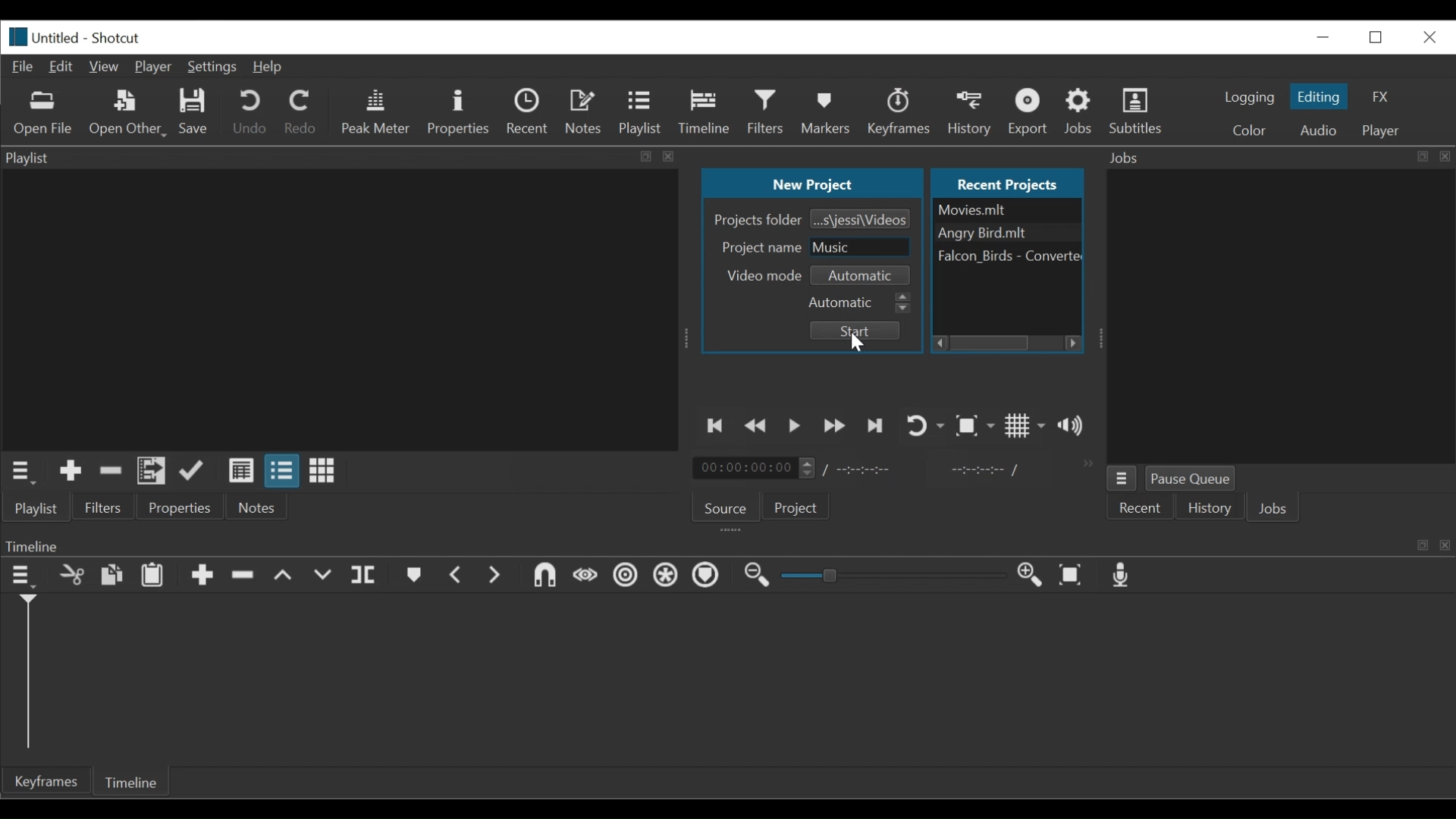 This screenshot has height=819, width=1456. Describe the element at coordinates (1073, 574) in the screenshot. I see `Zoom timeline to fit ` at that location.